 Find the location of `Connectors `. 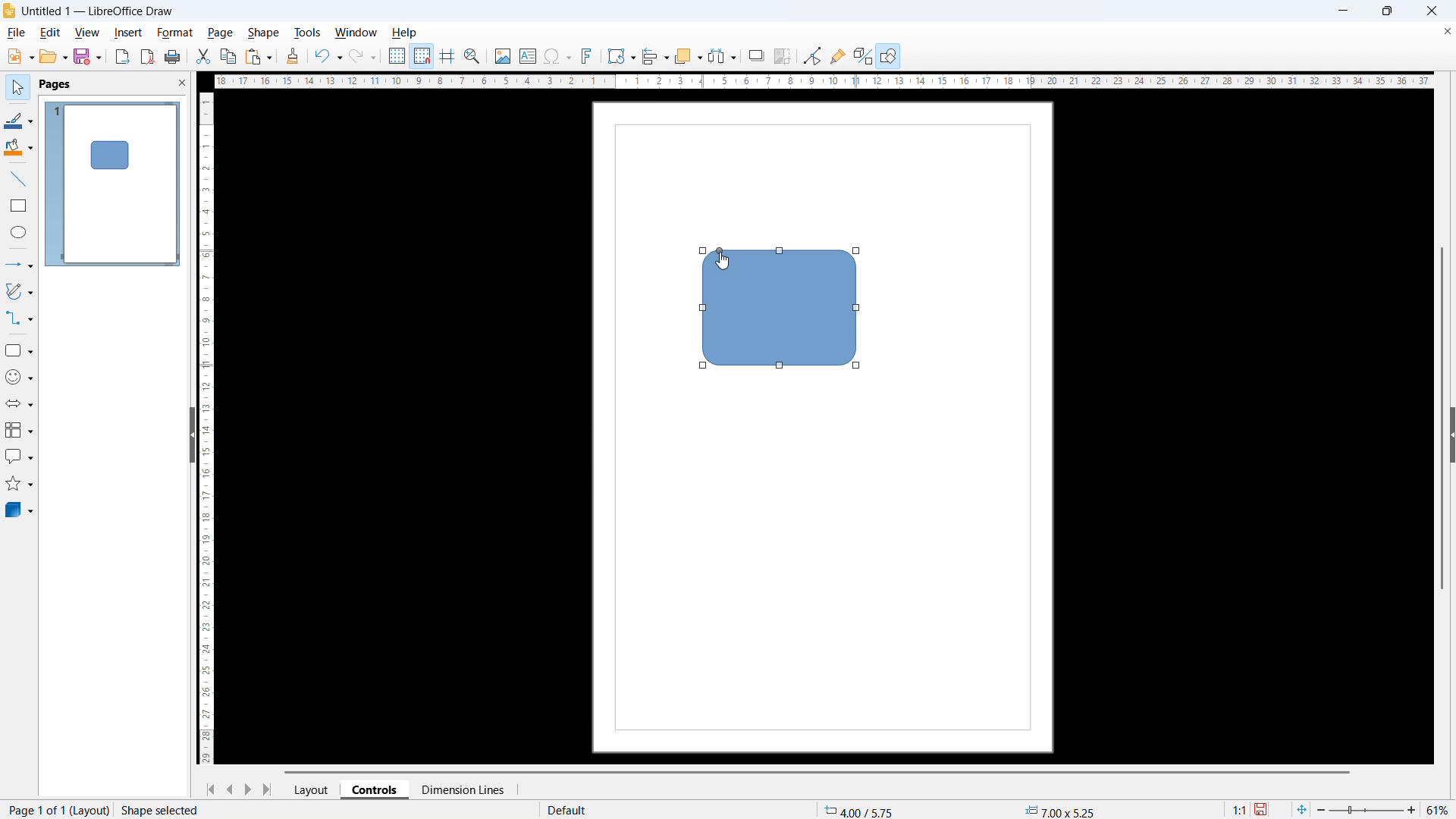

Connectors  is located at coordinates (20, 318).